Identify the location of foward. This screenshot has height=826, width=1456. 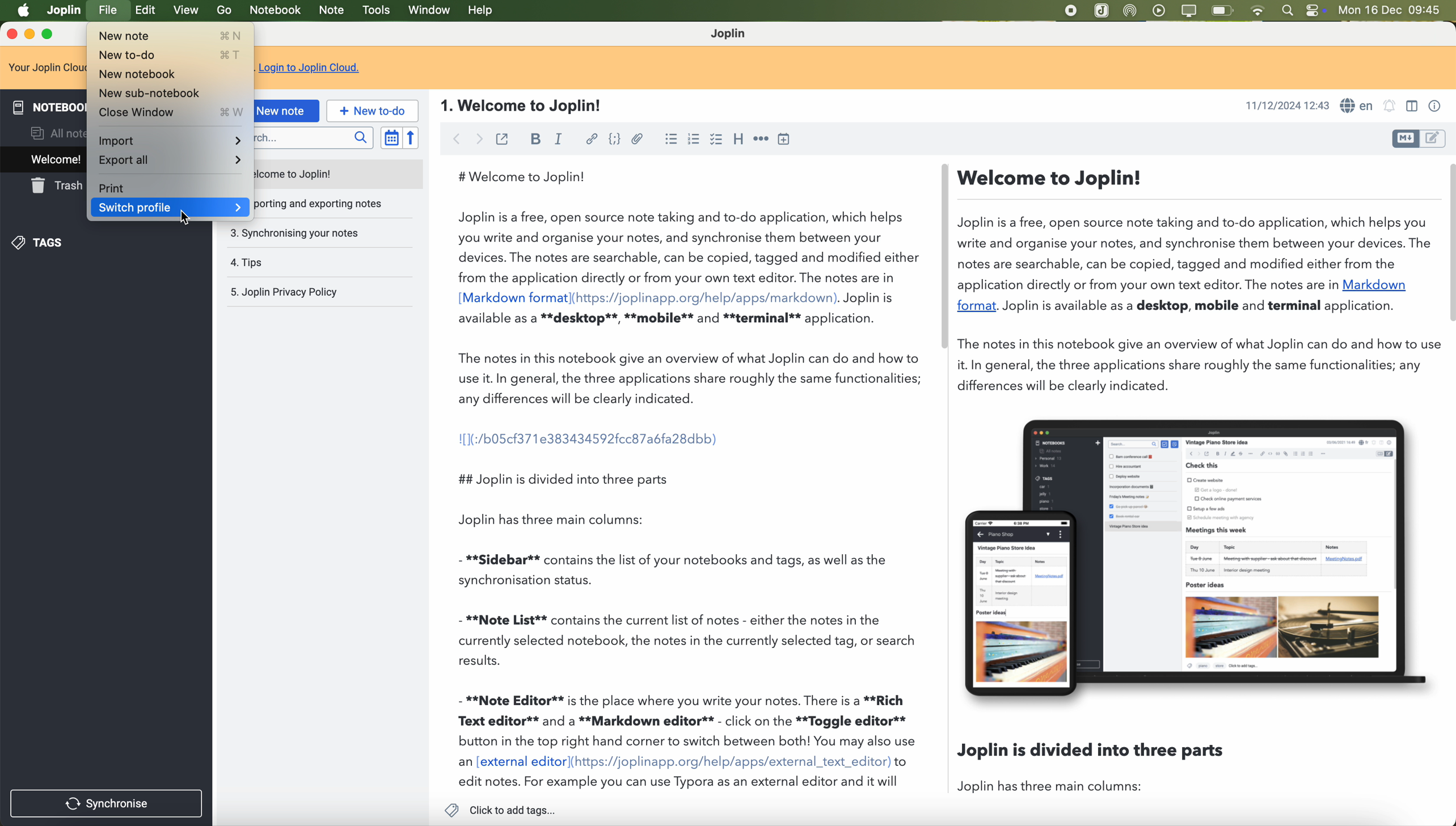
(482, 141).